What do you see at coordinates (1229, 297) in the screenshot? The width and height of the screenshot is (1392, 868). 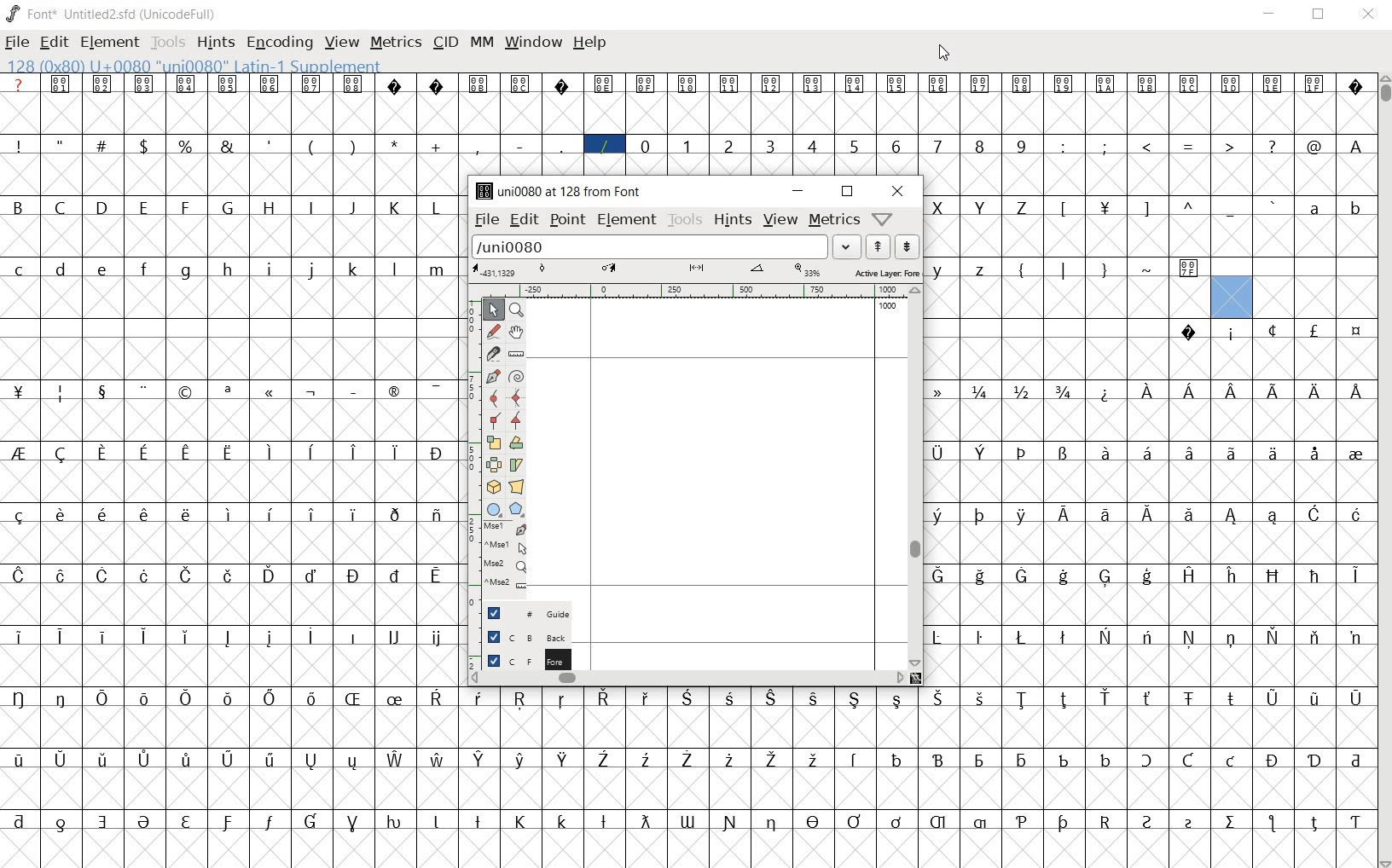 I see `glyph slot` at bounding box center [1229, 297].